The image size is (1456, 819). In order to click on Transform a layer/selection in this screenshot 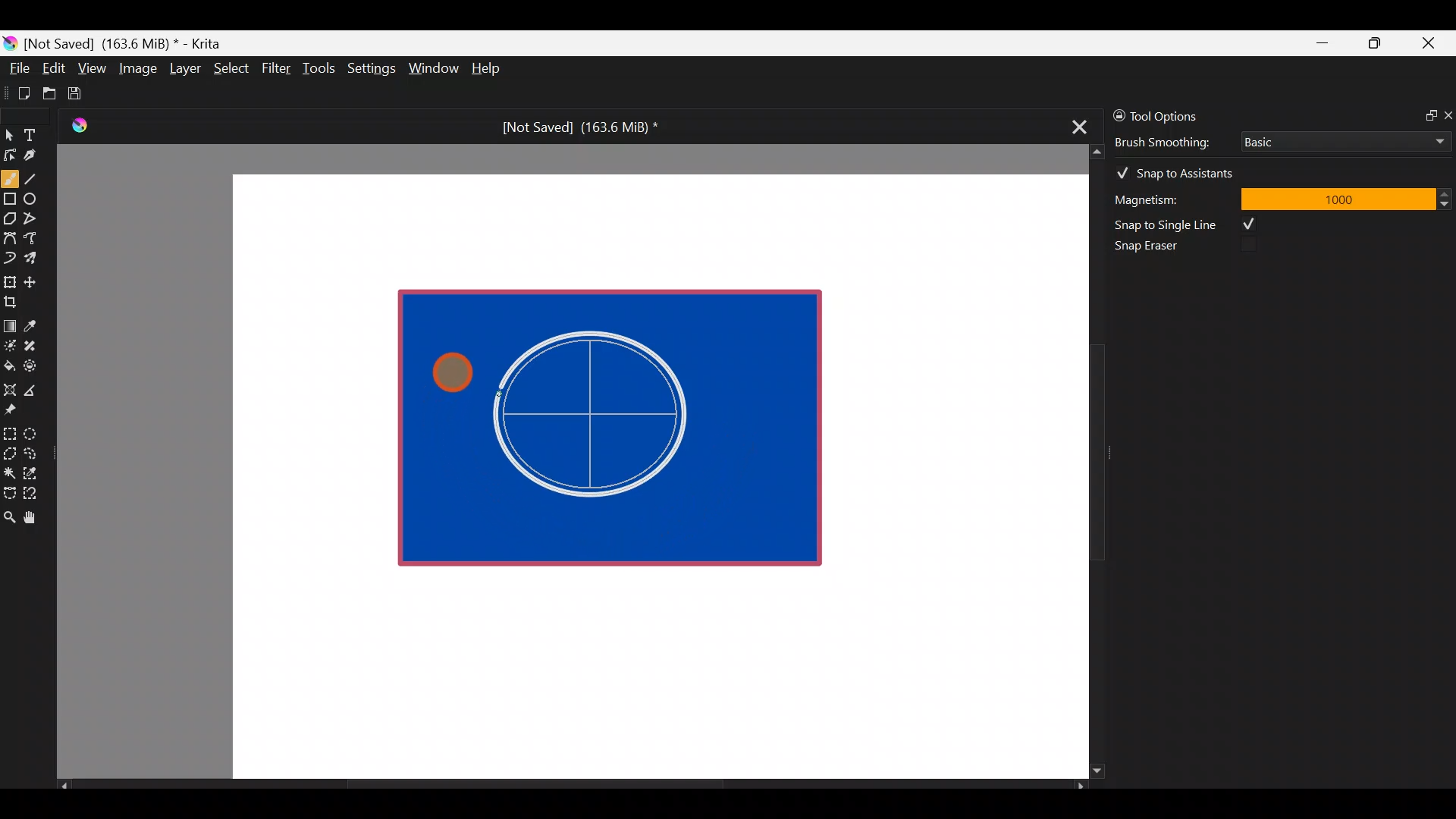, I will do `click(9, 279)`.